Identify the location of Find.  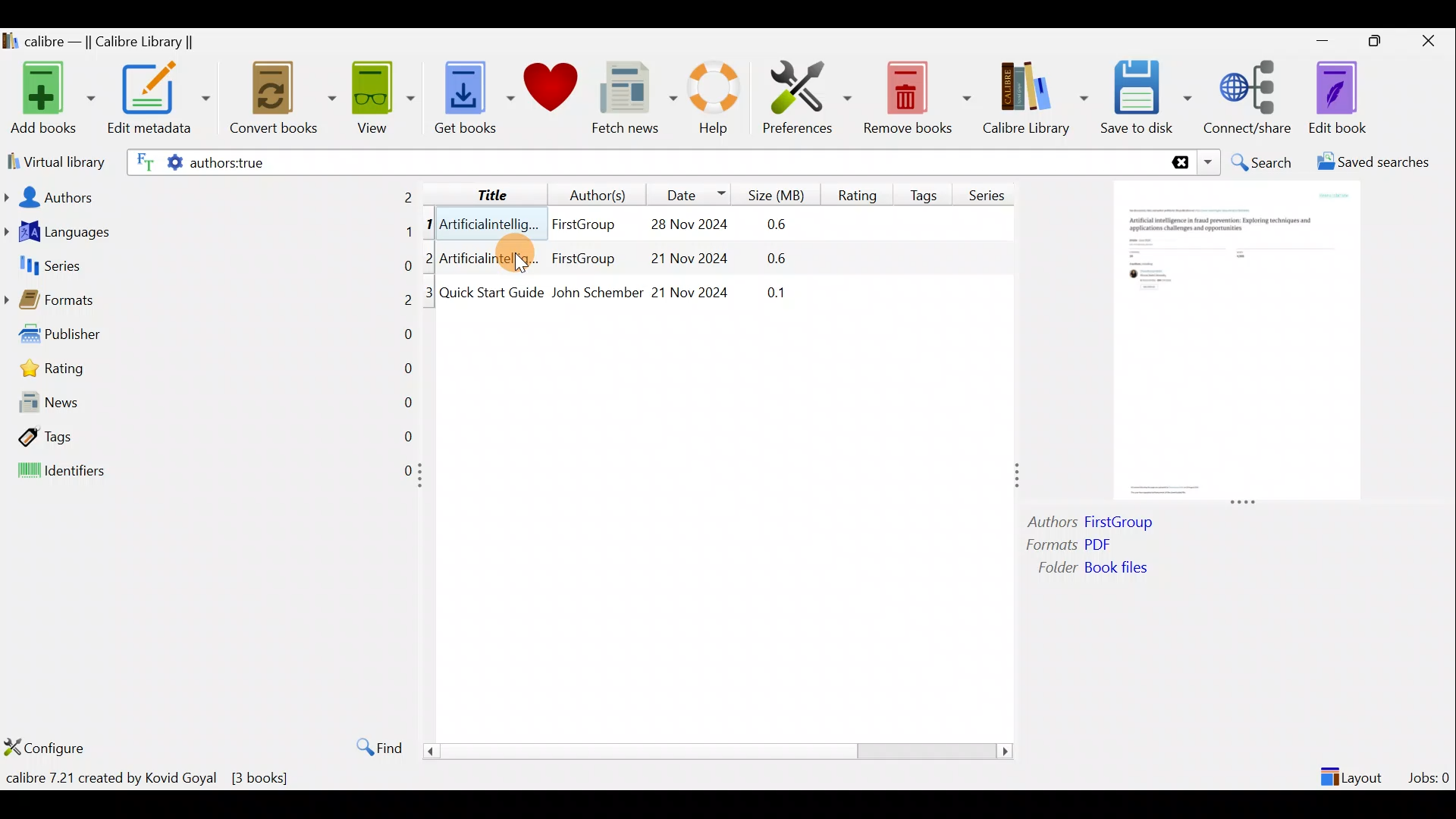
(372, 746).